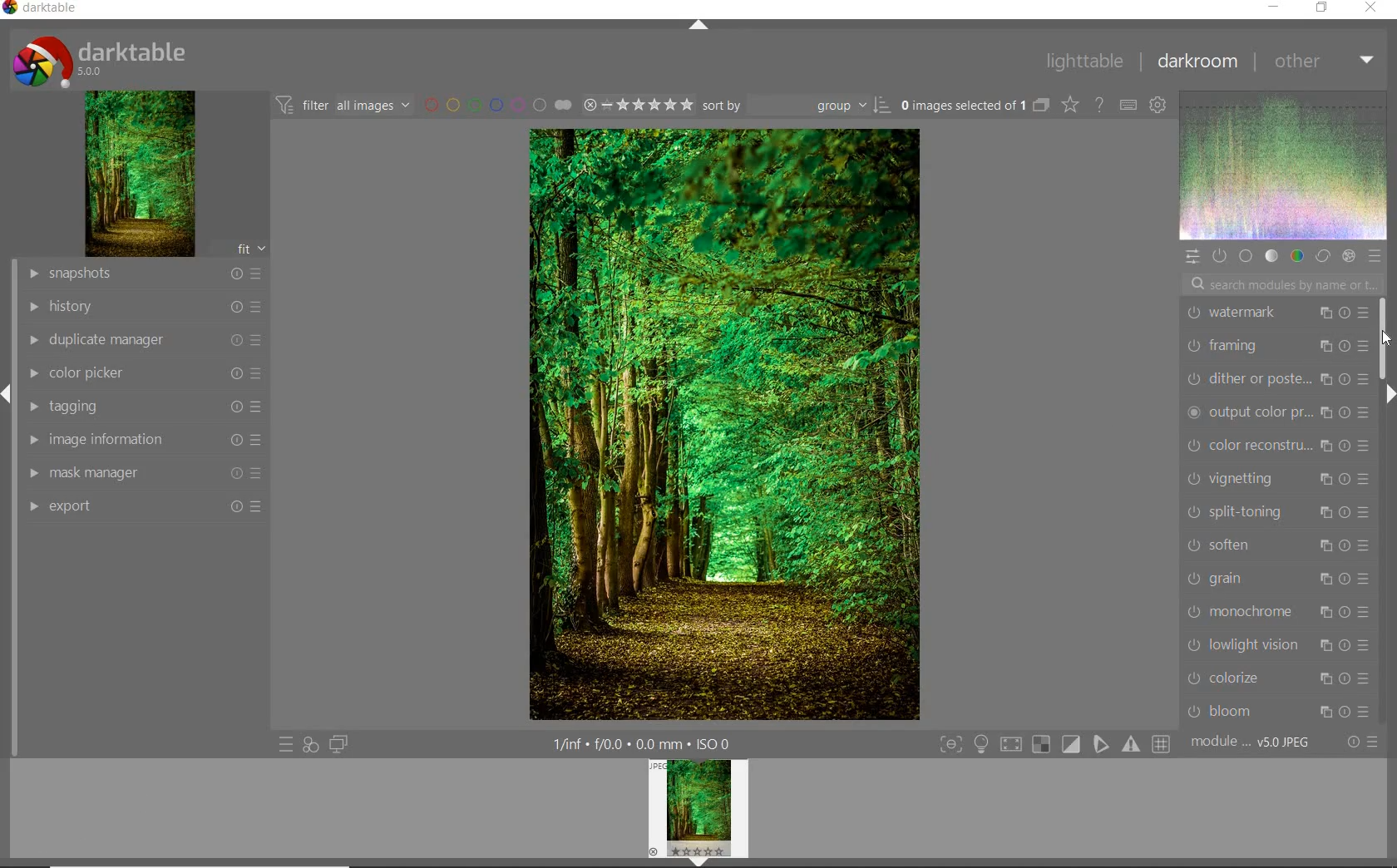 The height and width of the screenshot is (868, 1397). Describe the element at coordinates (343, 105) in the screenshot. I see `FILTER IMAGES` at that location.